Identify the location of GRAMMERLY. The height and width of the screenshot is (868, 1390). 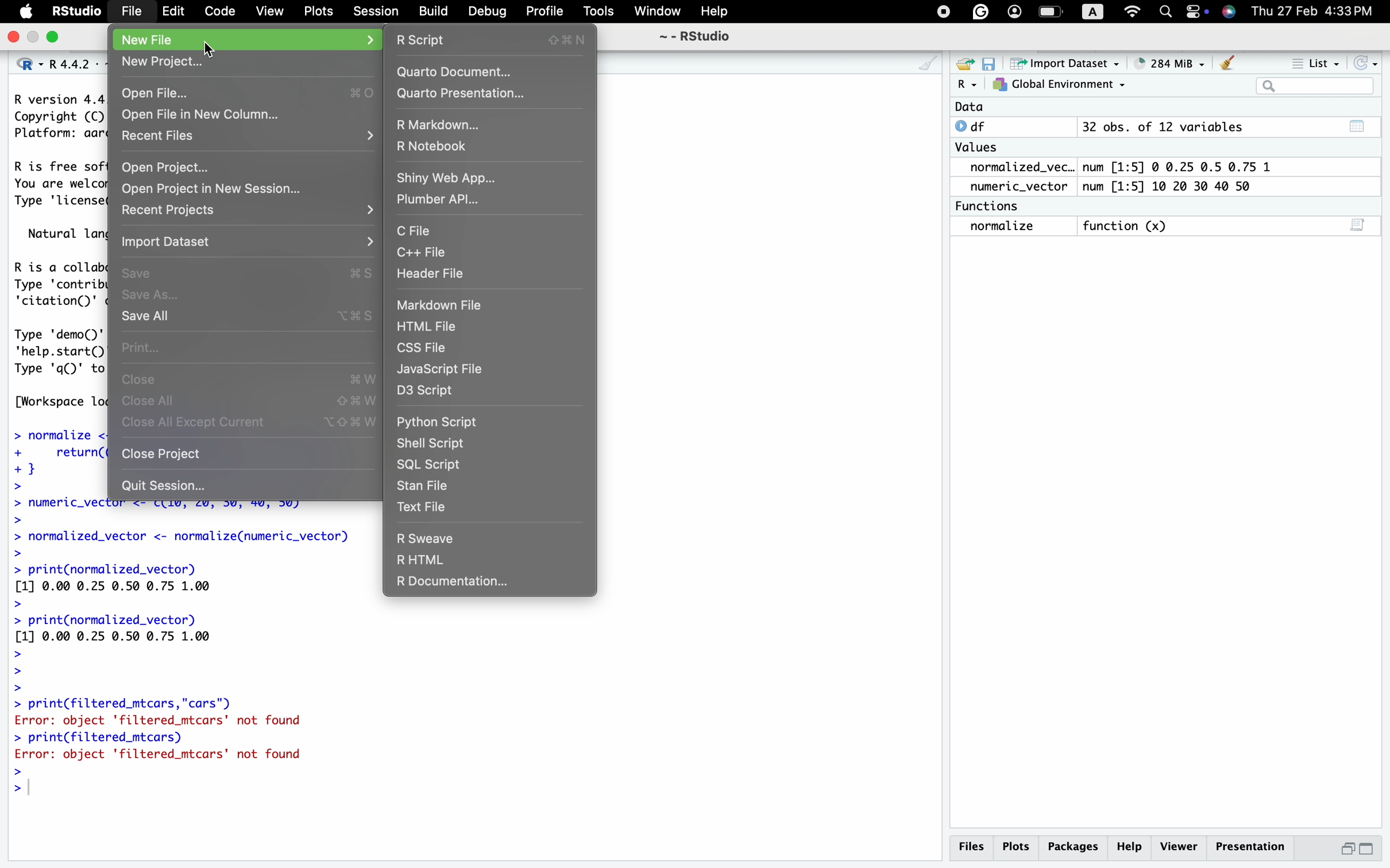
(980, 10).